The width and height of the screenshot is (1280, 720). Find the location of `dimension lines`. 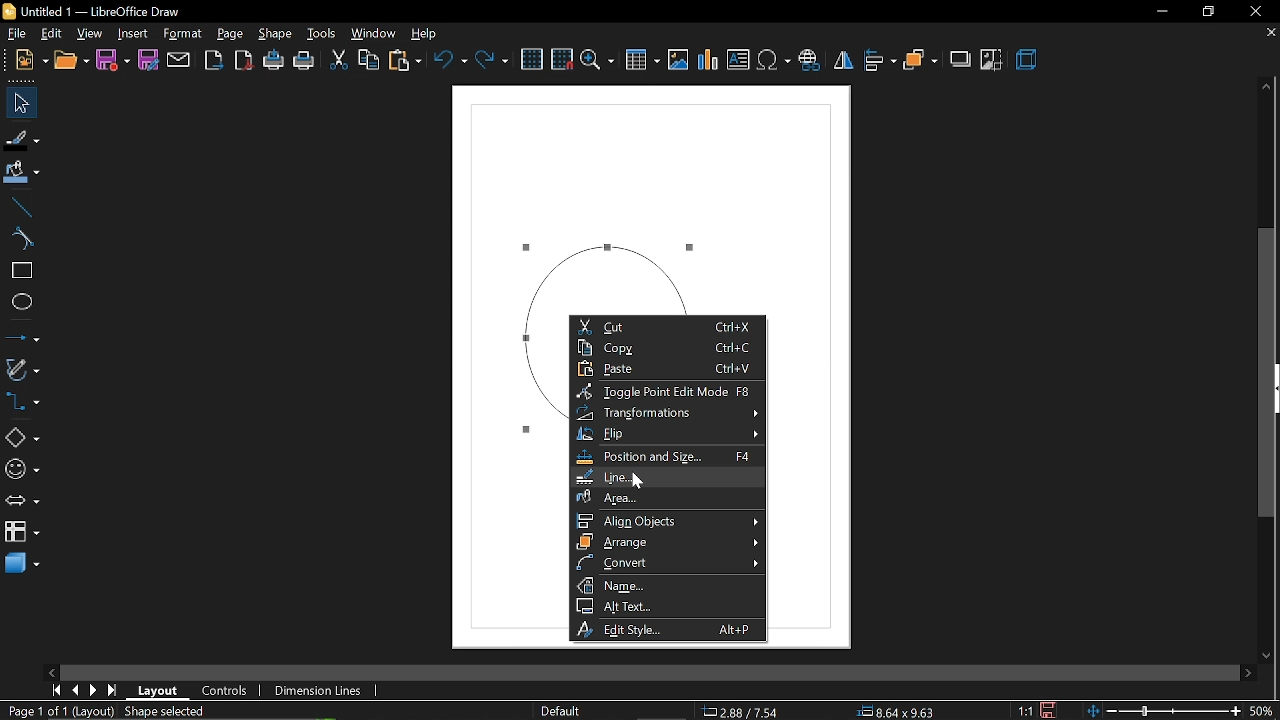

dimension lines is located at coordinates (318, 689).